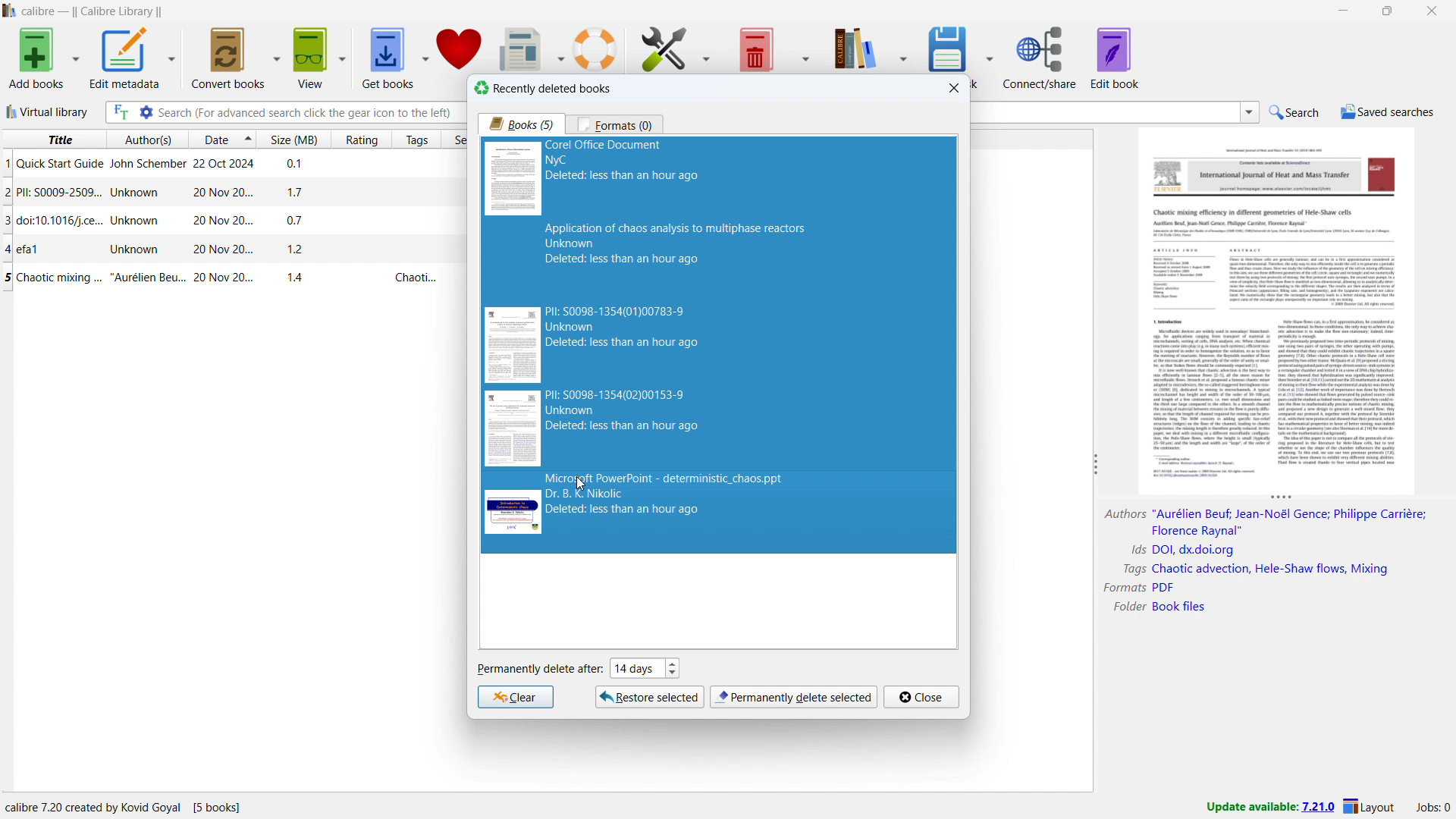 This screenshot has width=1456, height=819. What do you see at coordinates (1269, 808) in the screenshot?
I see `update` at bounding box center [1269, 808].